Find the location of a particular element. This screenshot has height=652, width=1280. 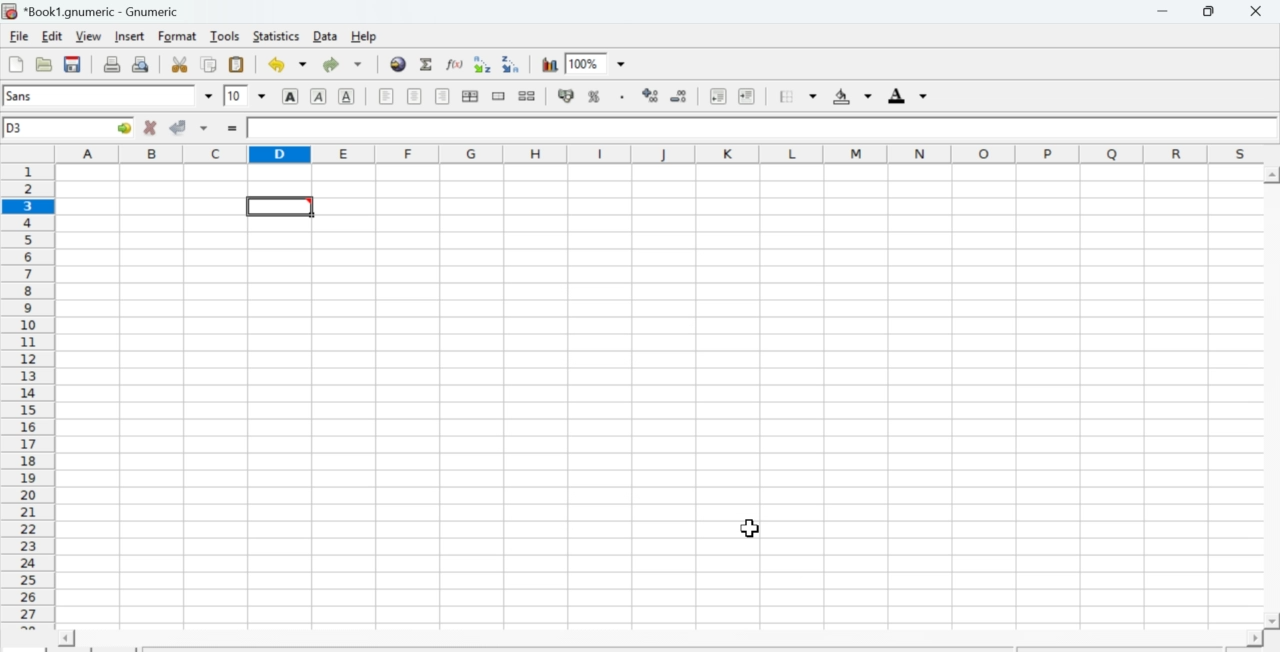

Cancel change is located at coordinates (148, 127).